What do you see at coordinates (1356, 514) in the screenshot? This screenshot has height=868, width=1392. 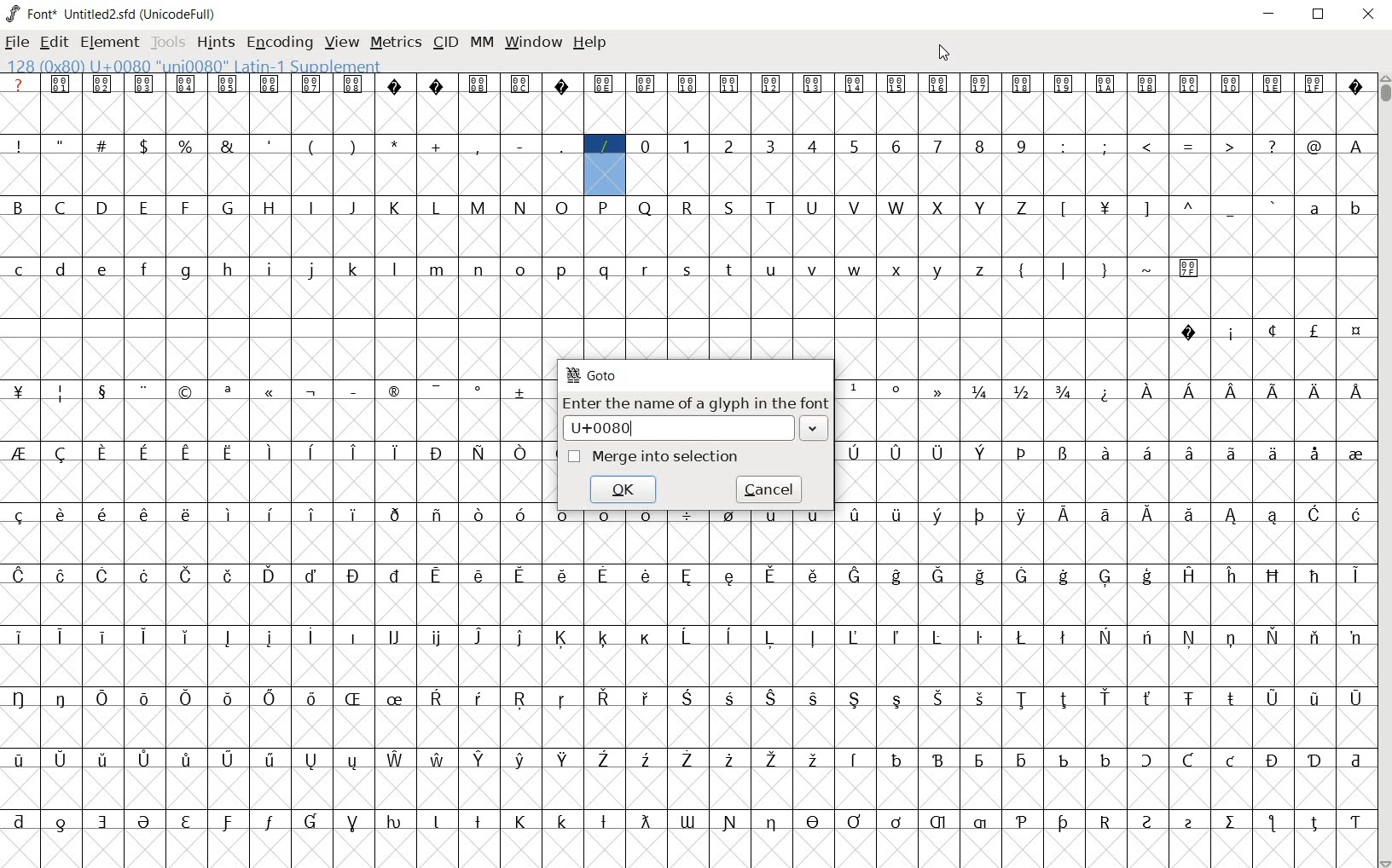 I see `glyph` at bounding box center [1356, 514].